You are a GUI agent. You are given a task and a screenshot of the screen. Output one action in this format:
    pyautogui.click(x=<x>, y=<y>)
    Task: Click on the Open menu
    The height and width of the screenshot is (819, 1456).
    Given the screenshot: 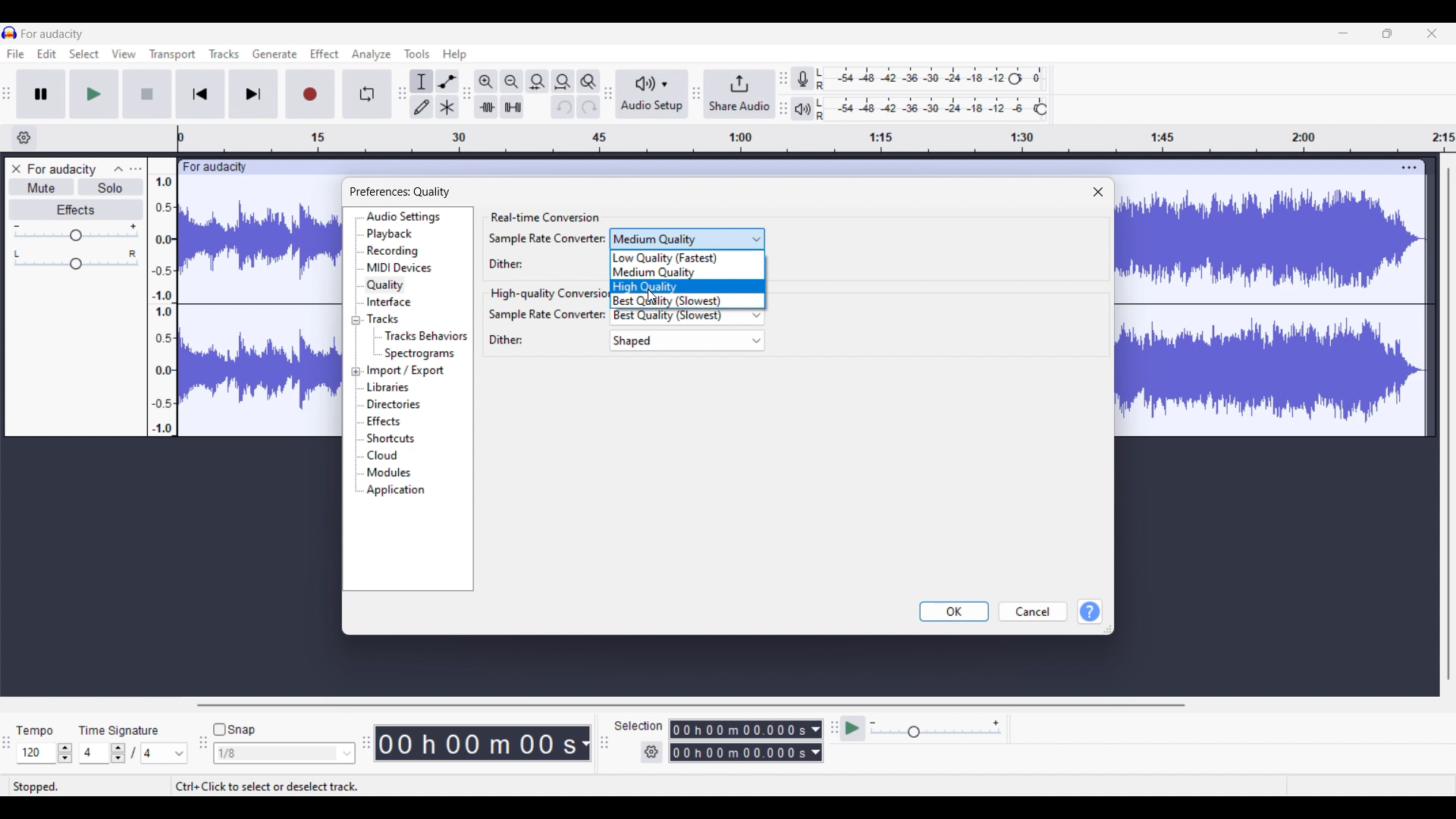 What is the action you would take?
    pyautogui.click(x=136, y=169)
    